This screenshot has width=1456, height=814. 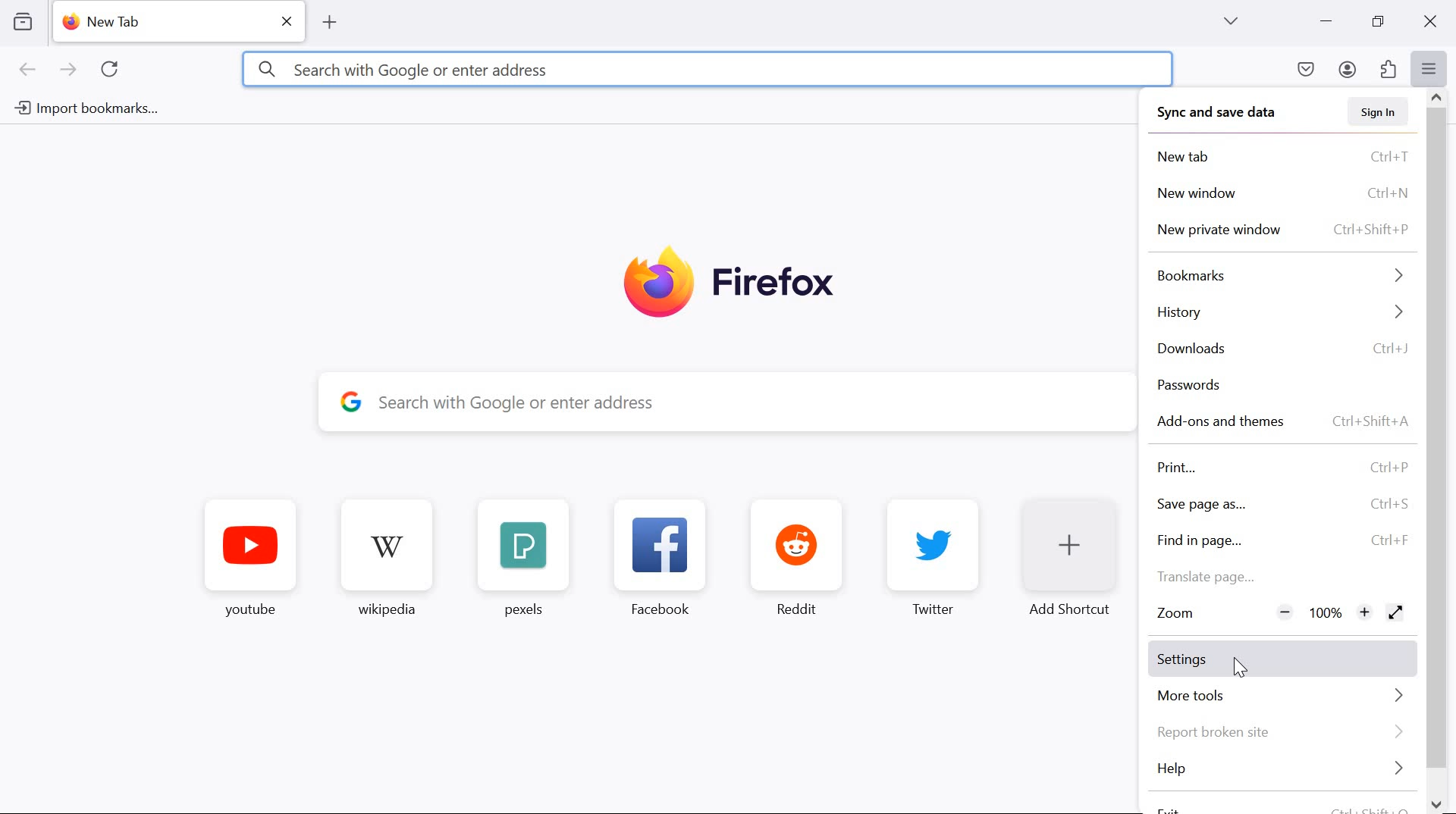 I want to click on view recent browsing across windows, so click(x=23, y=20).